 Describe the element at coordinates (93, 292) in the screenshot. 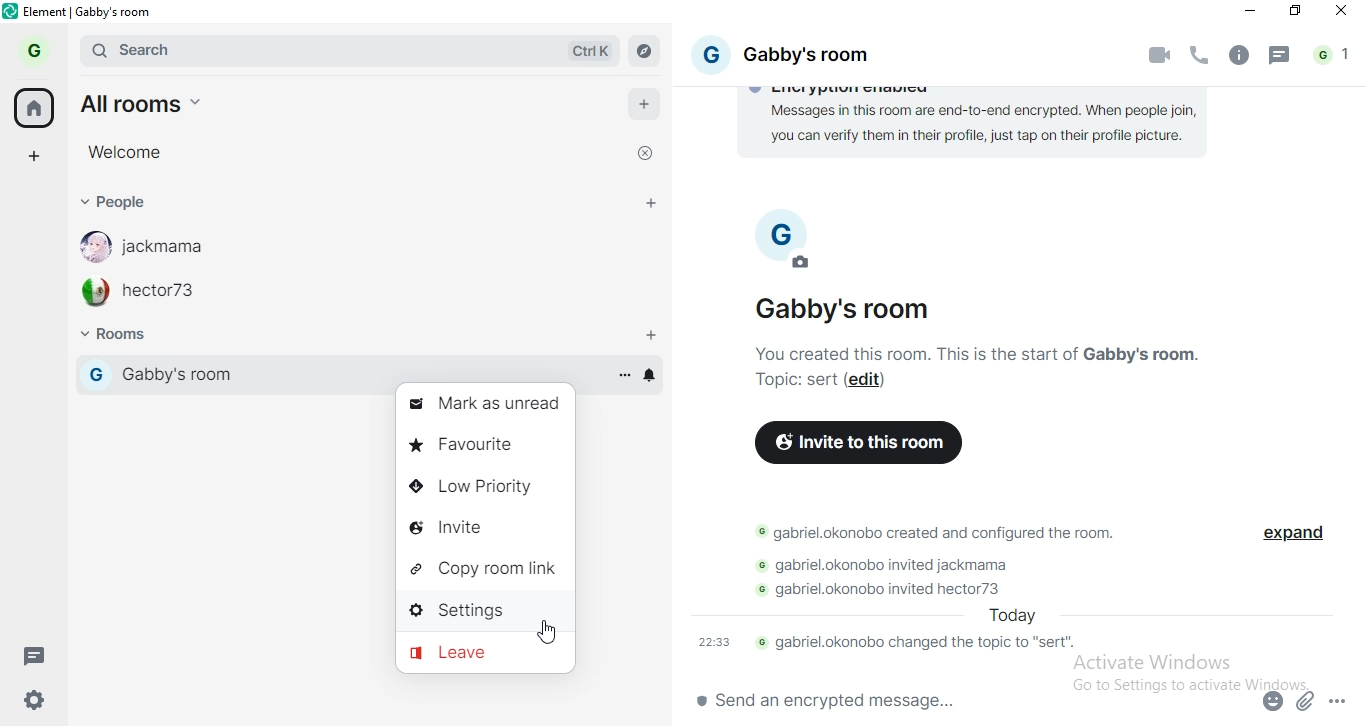

I see `Profile image` at that location.